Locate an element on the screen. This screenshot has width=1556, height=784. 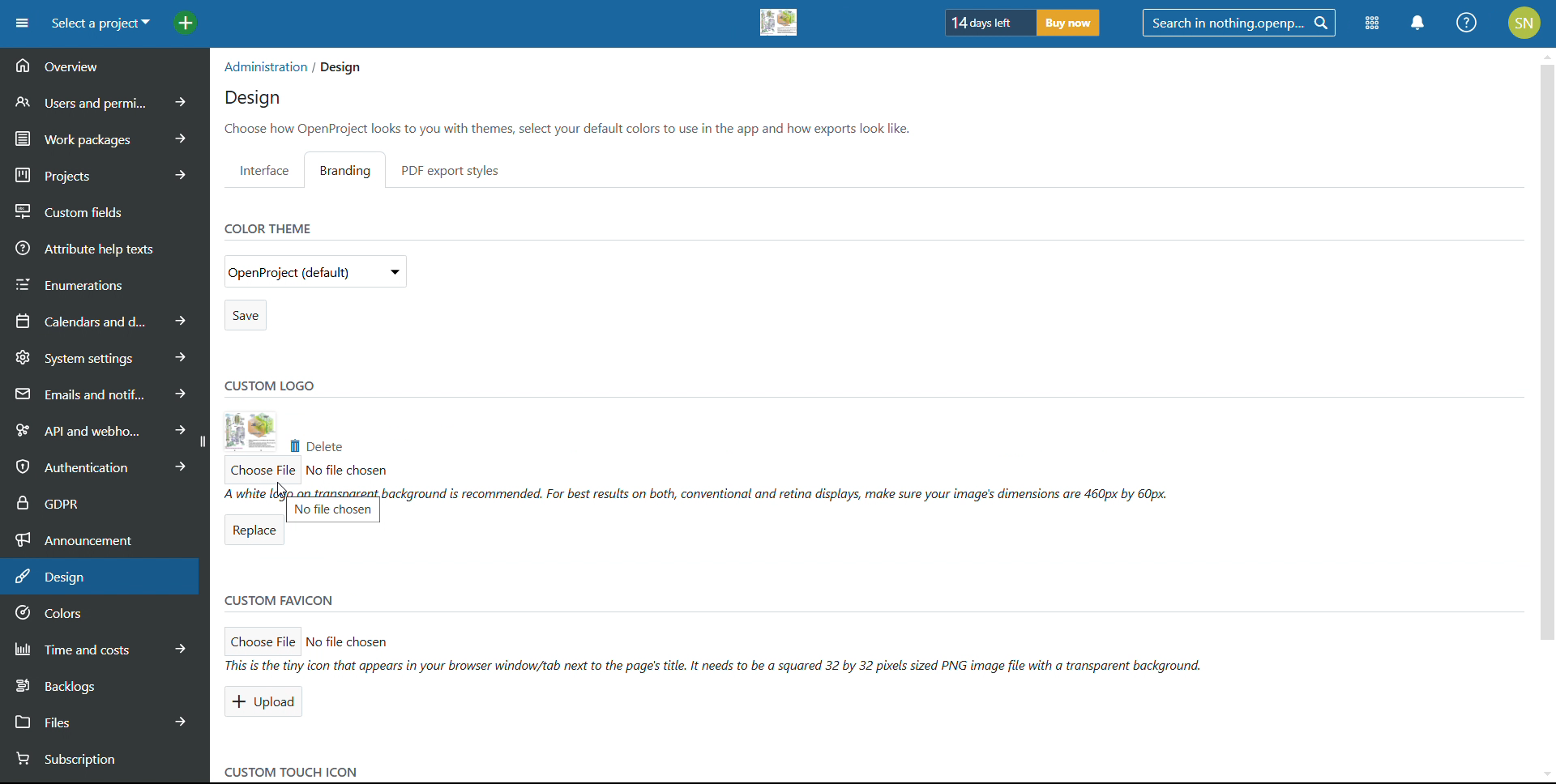
system settings is located at coordinates (104, 356).